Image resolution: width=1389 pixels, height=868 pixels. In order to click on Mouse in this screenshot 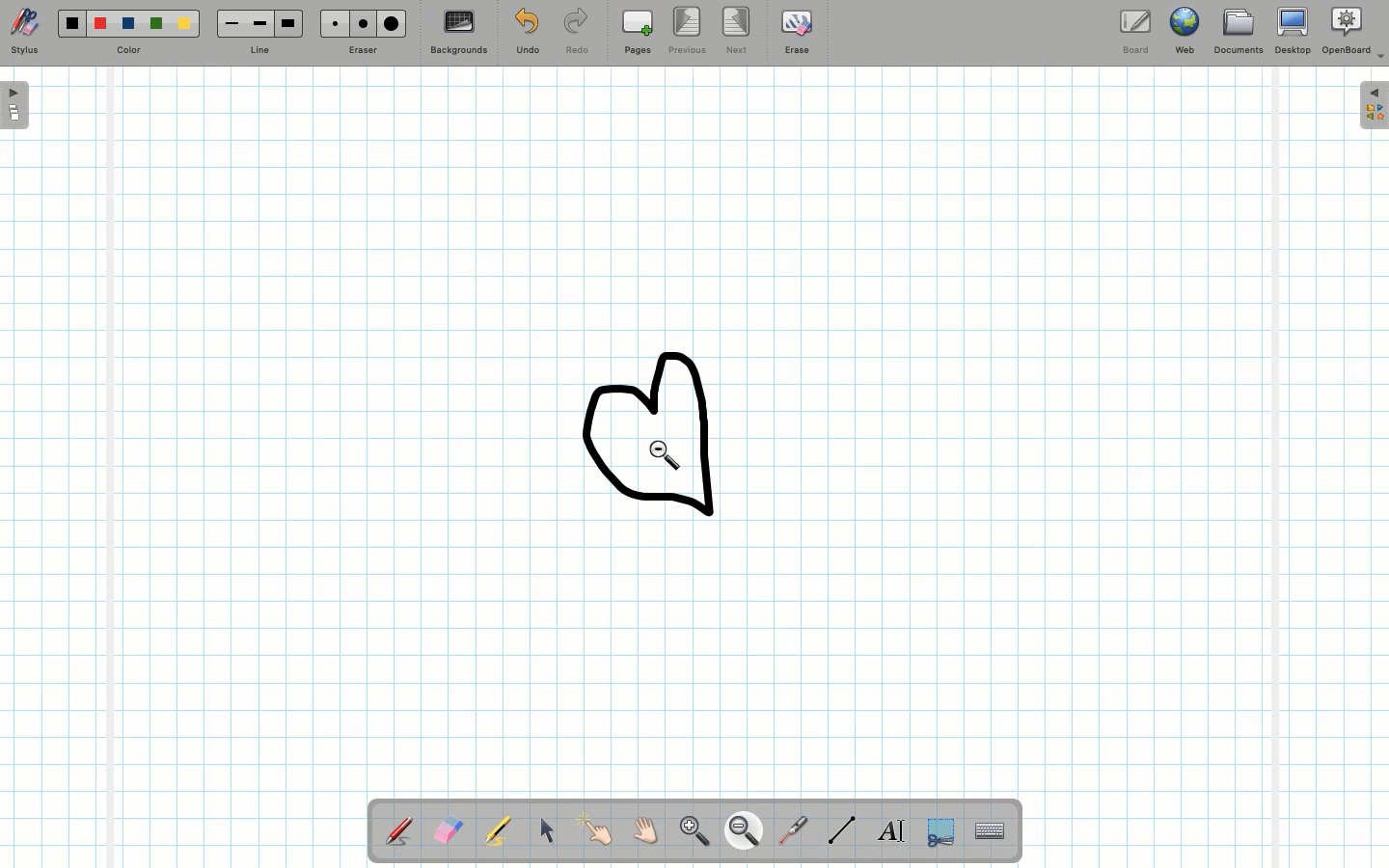, I will do `click(547, 833)`.